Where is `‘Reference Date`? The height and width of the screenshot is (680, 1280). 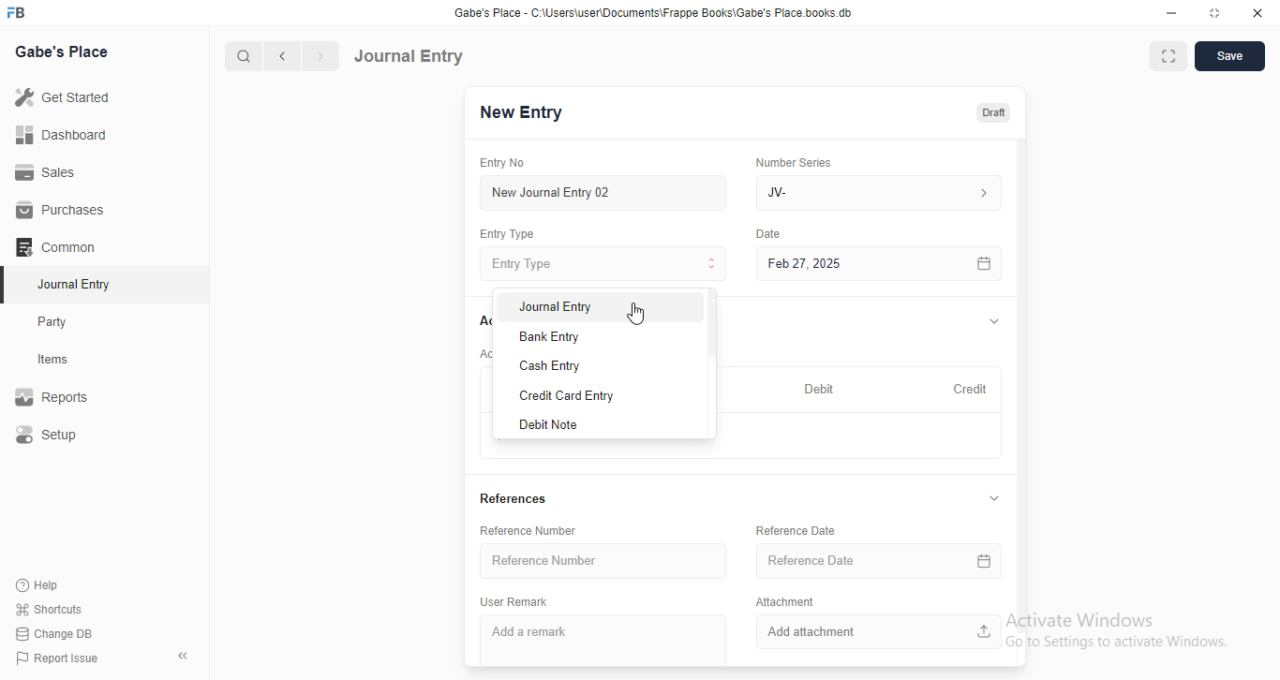 ‘Reference Date is located at coordinates (795, 530).